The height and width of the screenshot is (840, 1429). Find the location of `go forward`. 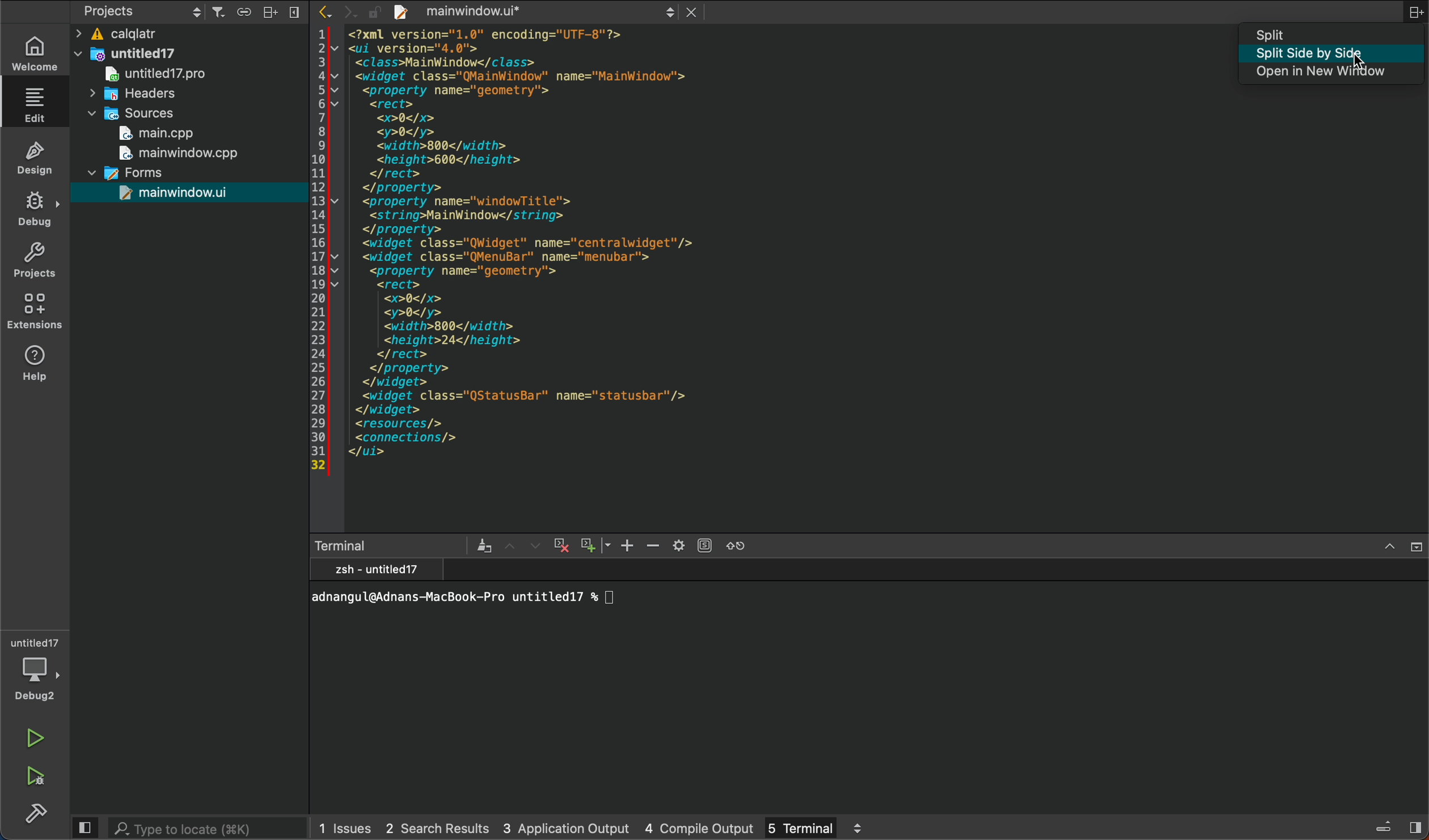

go forward is located at coordinates (350, 11).